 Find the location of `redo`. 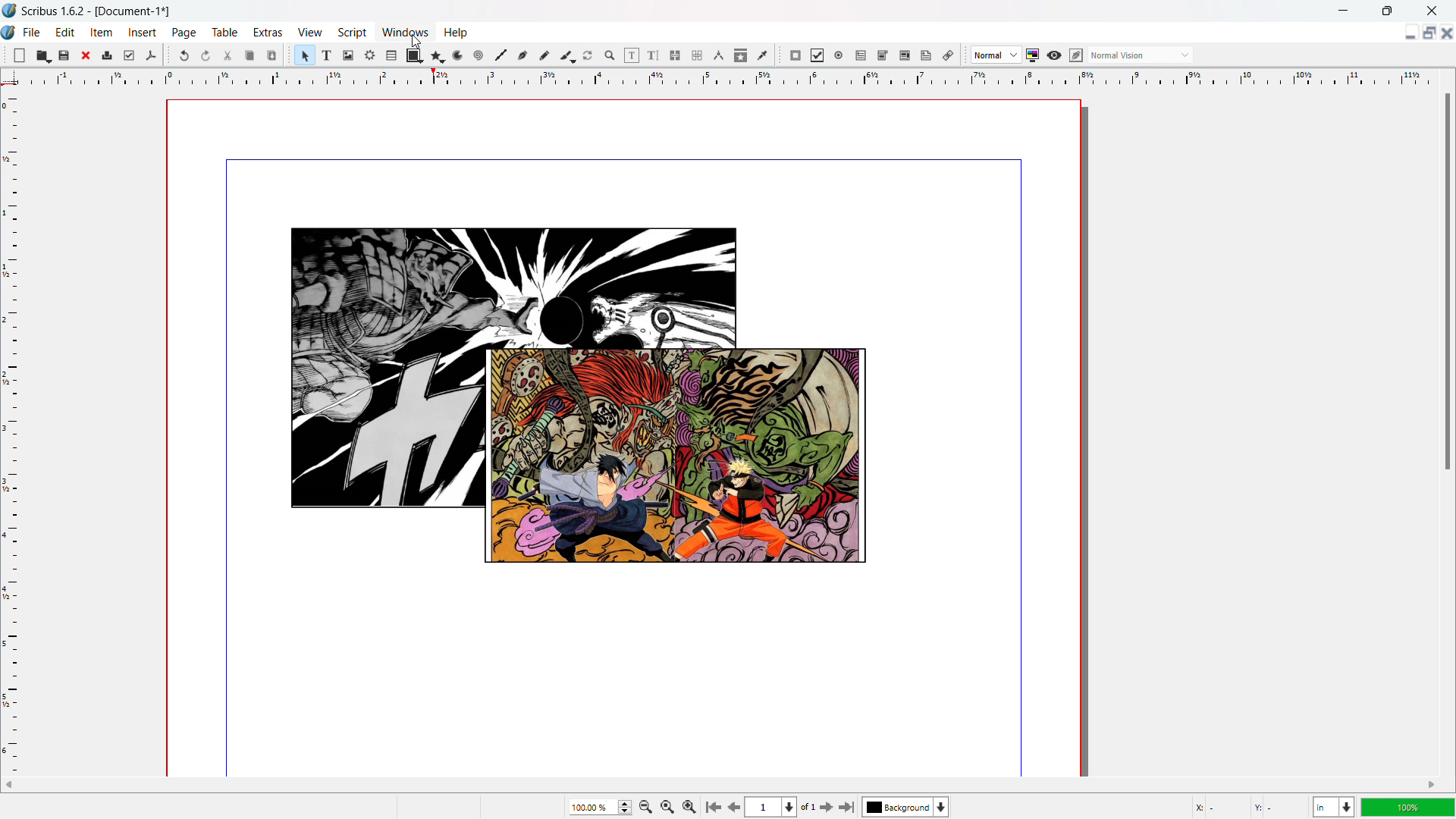

redo is located at coordinates (206, 55).